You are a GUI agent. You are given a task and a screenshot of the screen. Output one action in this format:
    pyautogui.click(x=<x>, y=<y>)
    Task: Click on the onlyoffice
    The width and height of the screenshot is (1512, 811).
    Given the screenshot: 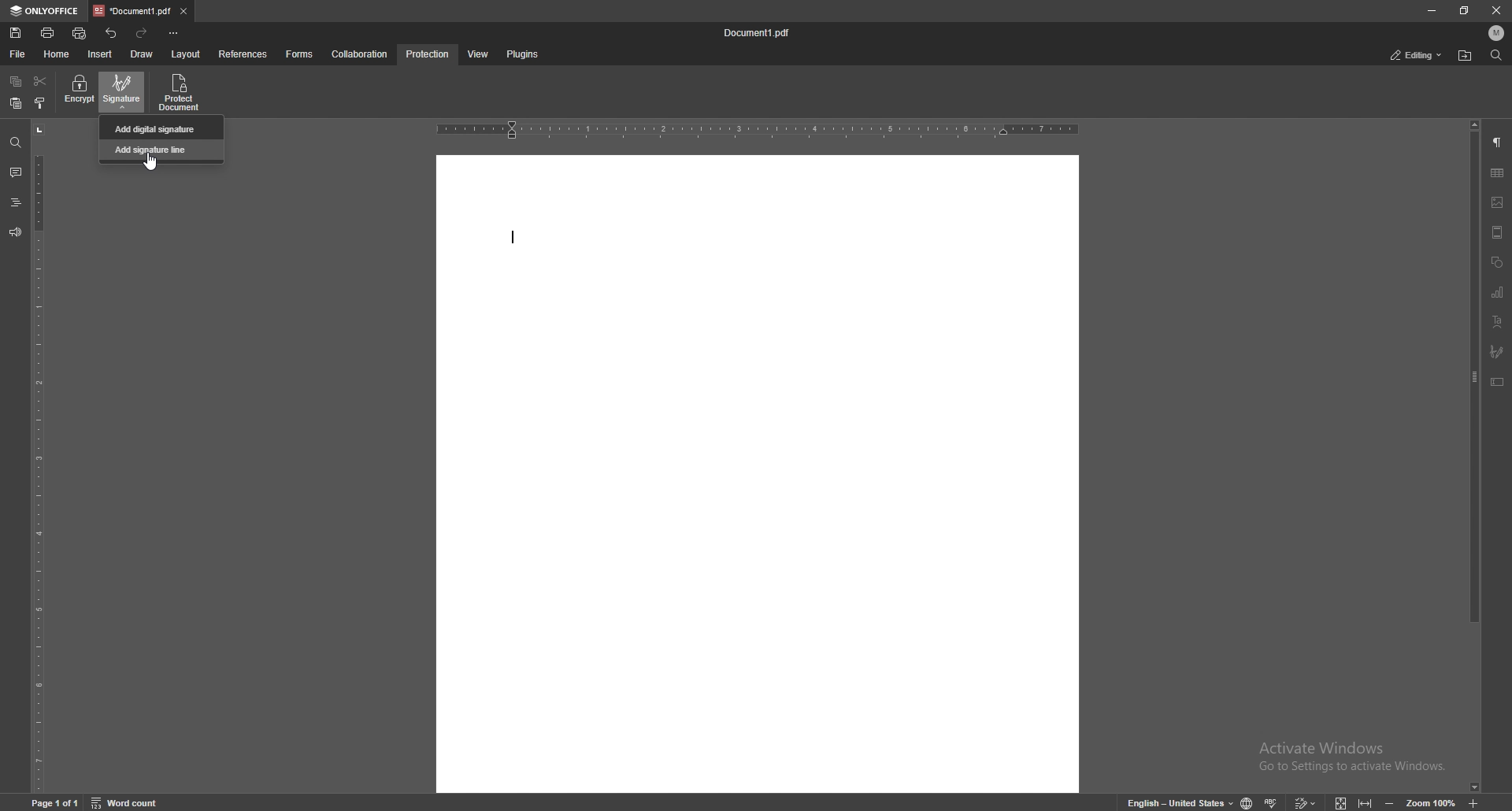 What is the action you would take?
    pyautogui.click(x=46, y=11)
    